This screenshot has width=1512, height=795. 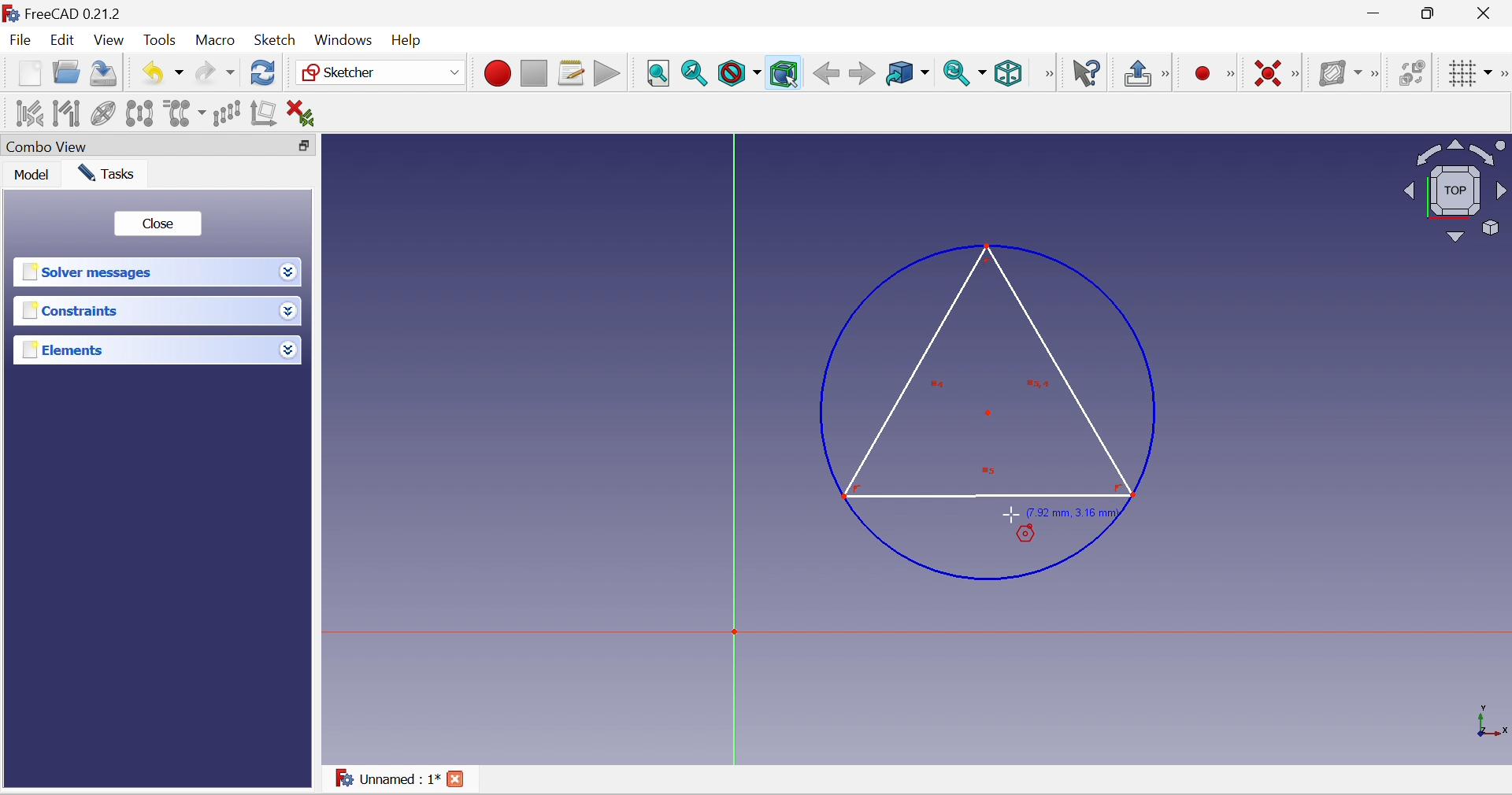 I want to click on Stop macro recording, so click(x=534, y=72).